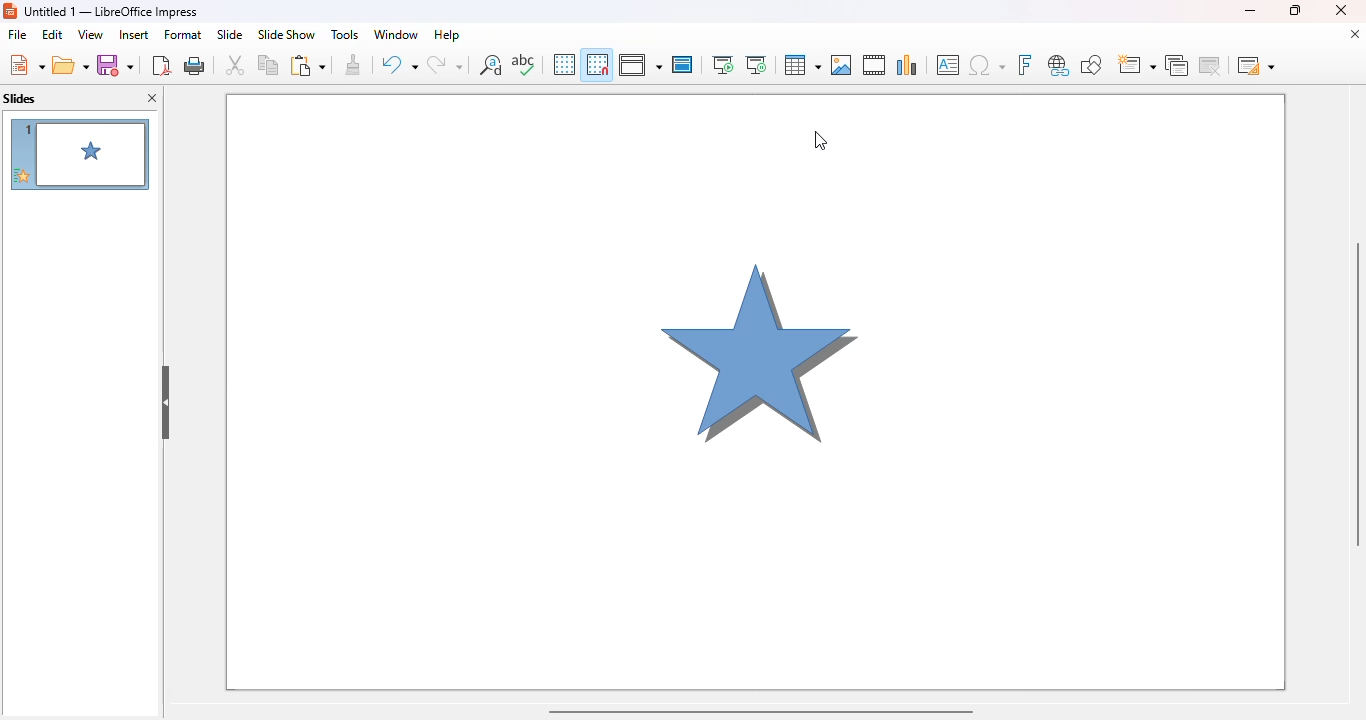 The height and width of the screenshot is (720, 1366). Describe the element at coordinates (1249, 10) in the screenshot. I see `minimize` at that location.